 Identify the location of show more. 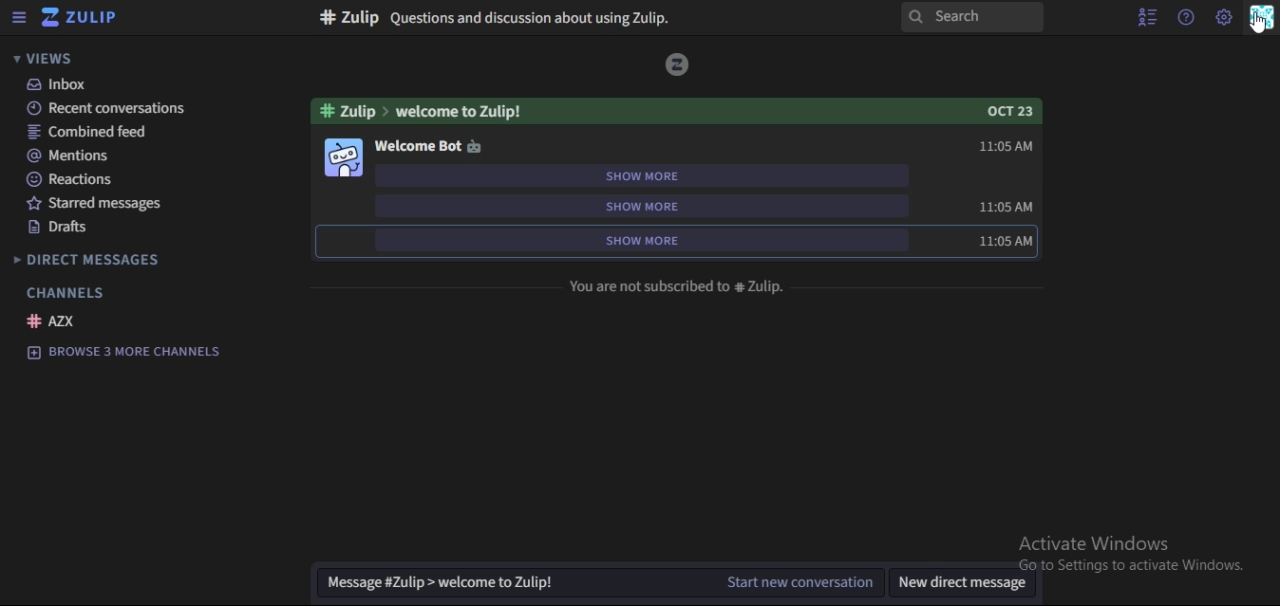
(653, 175).